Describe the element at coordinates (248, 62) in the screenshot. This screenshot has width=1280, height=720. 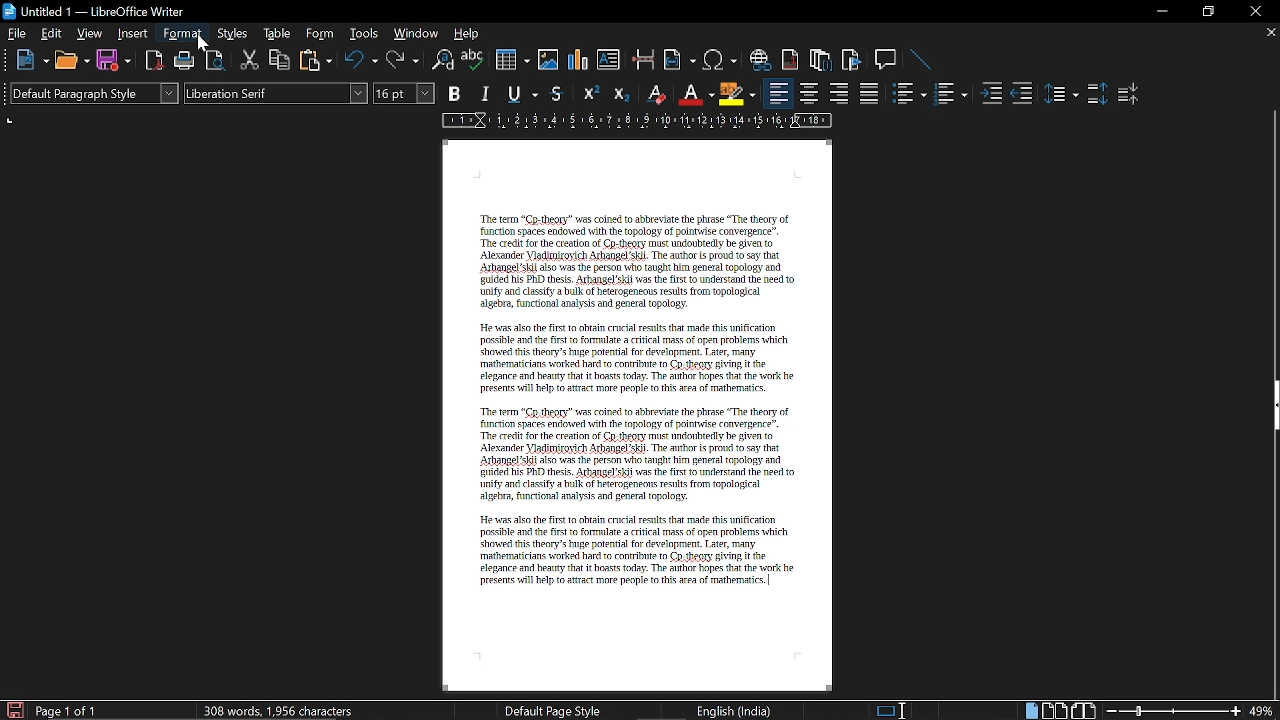
I see `Cut ` at that location.